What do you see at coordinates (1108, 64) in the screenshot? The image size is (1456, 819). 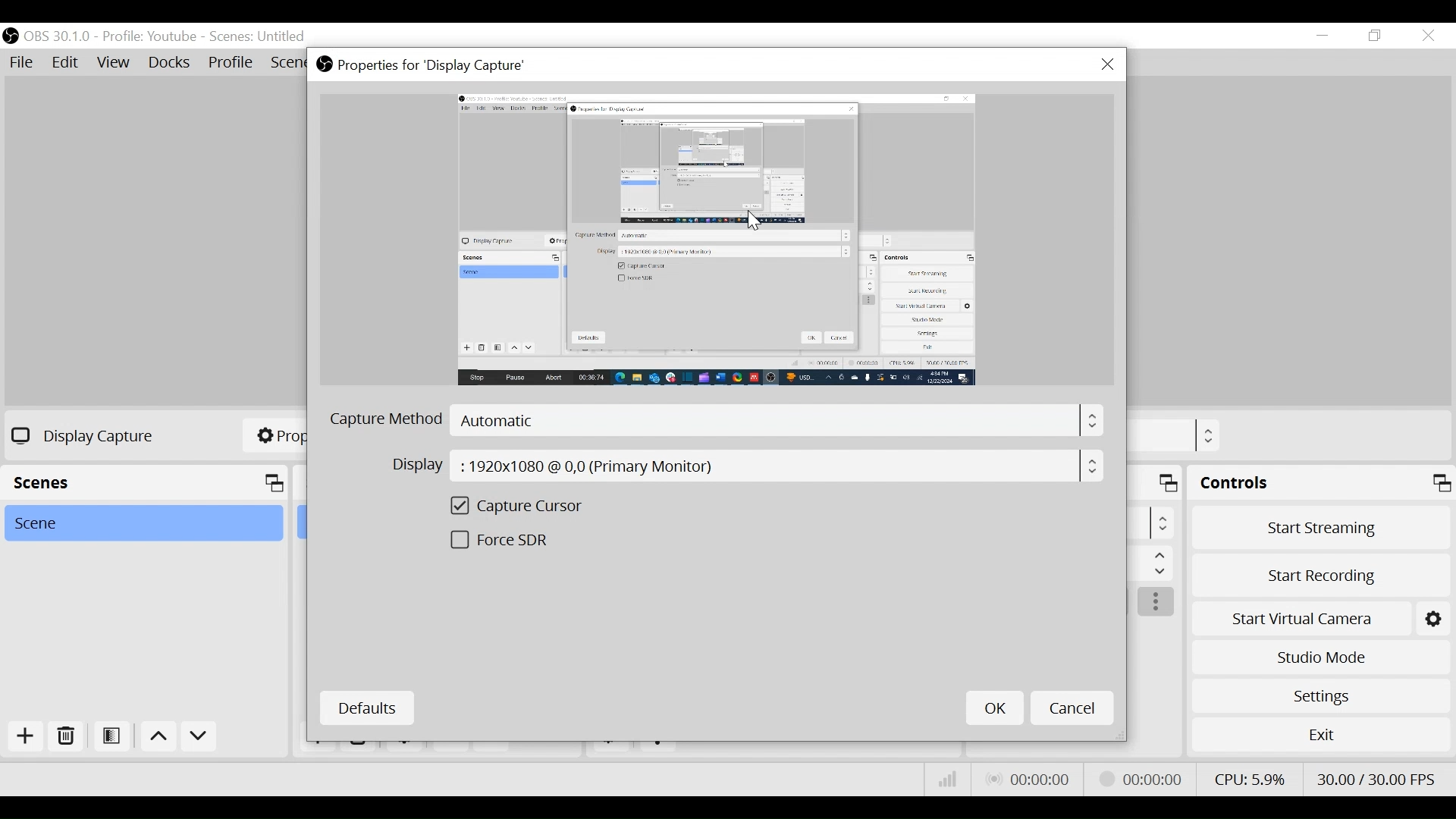 I see `Close` at bounding box center [1108, 64].